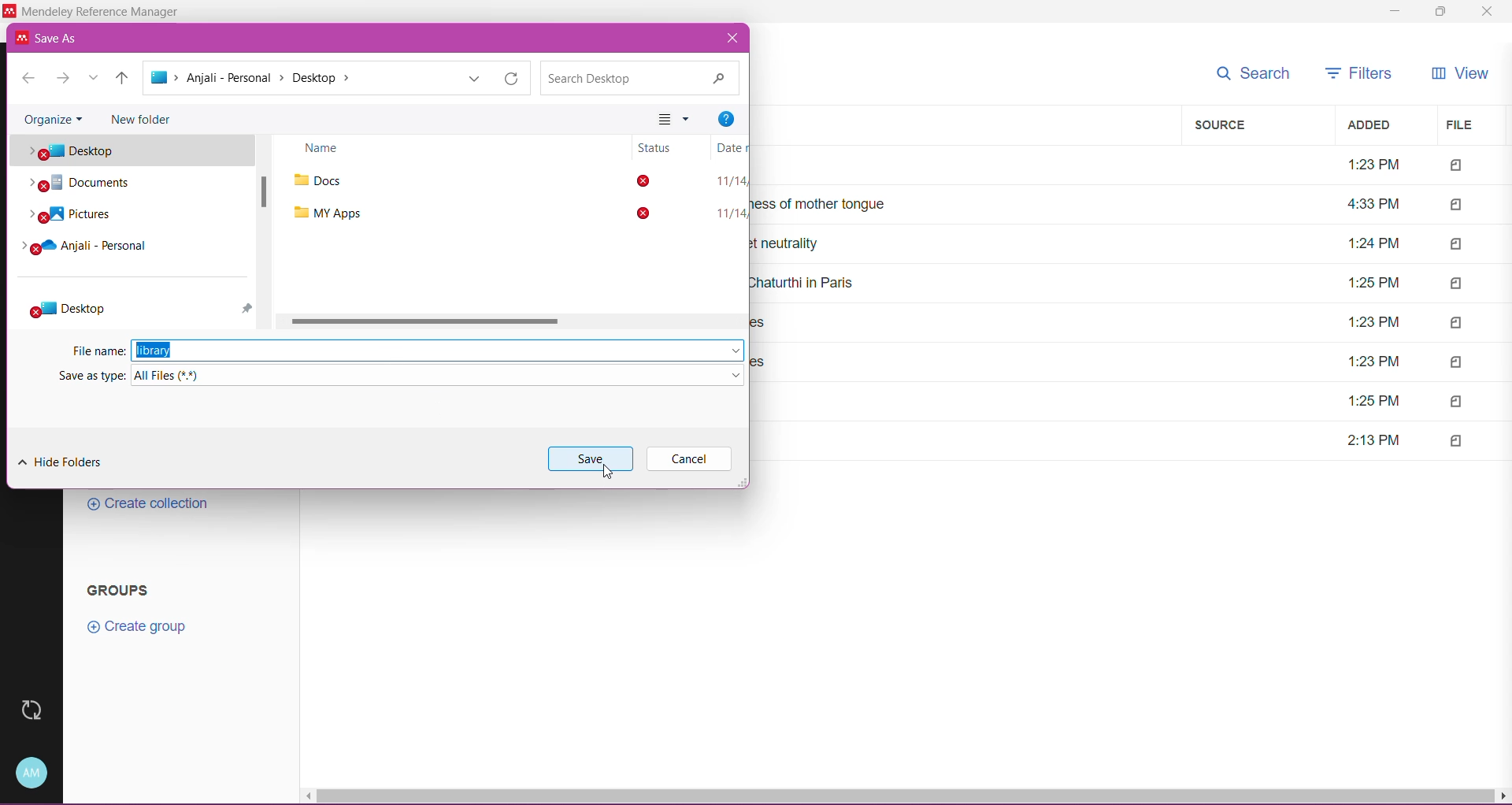  Describe the element at coordinates (328, 152) in the screenshot. I see `Name` at that location.